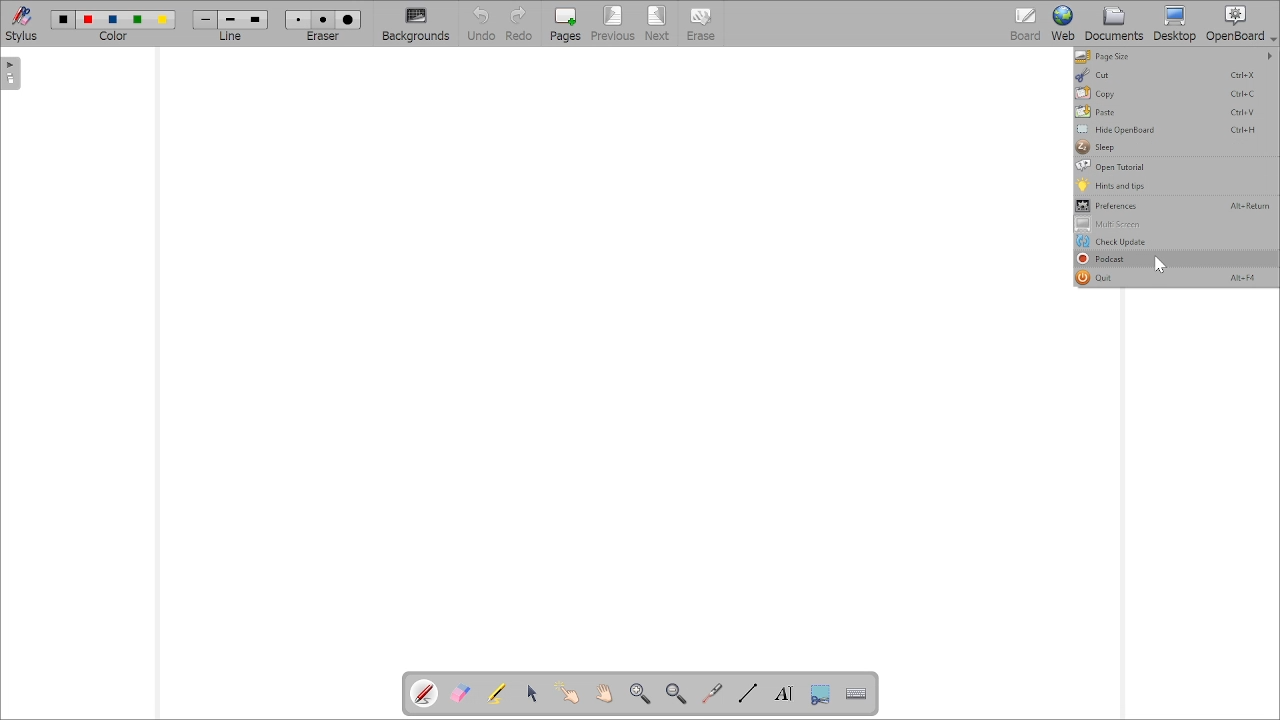  I want to click on Copy, so click(1176, 94).